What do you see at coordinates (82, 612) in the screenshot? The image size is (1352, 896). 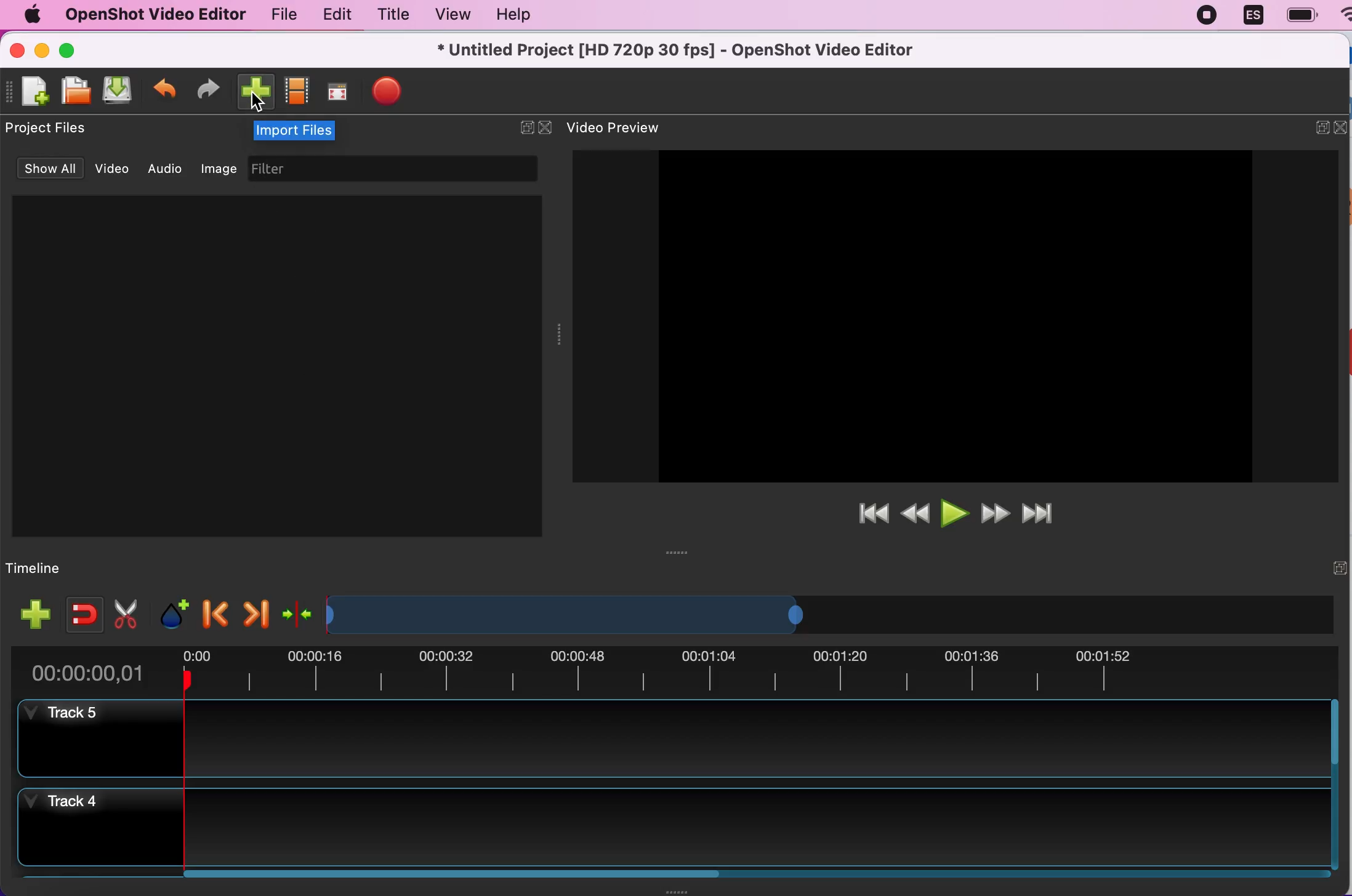 I see `enable snapping` at bounding box center [82, 612].